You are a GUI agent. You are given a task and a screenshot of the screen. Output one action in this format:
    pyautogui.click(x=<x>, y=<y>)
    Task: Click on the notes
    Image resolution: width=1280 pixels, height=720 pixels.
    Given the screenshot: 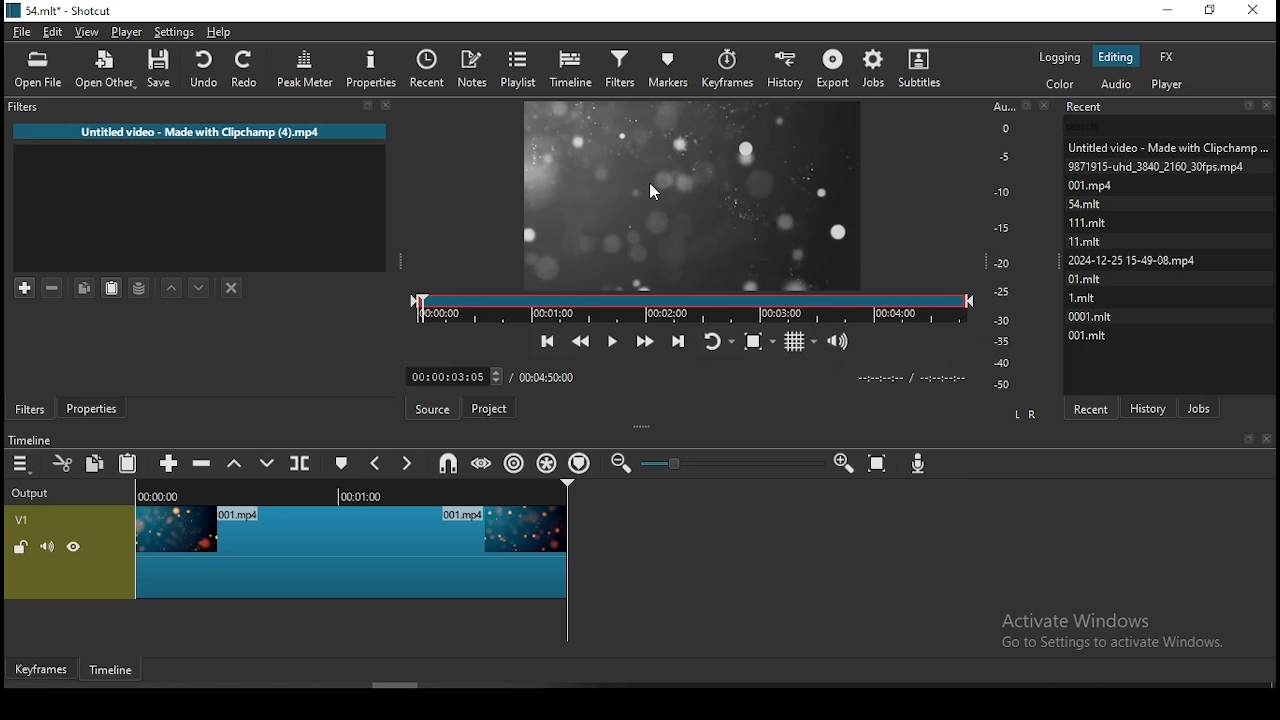 What is the action you would take?
    pyautogui.click(x=473, y=65)
    